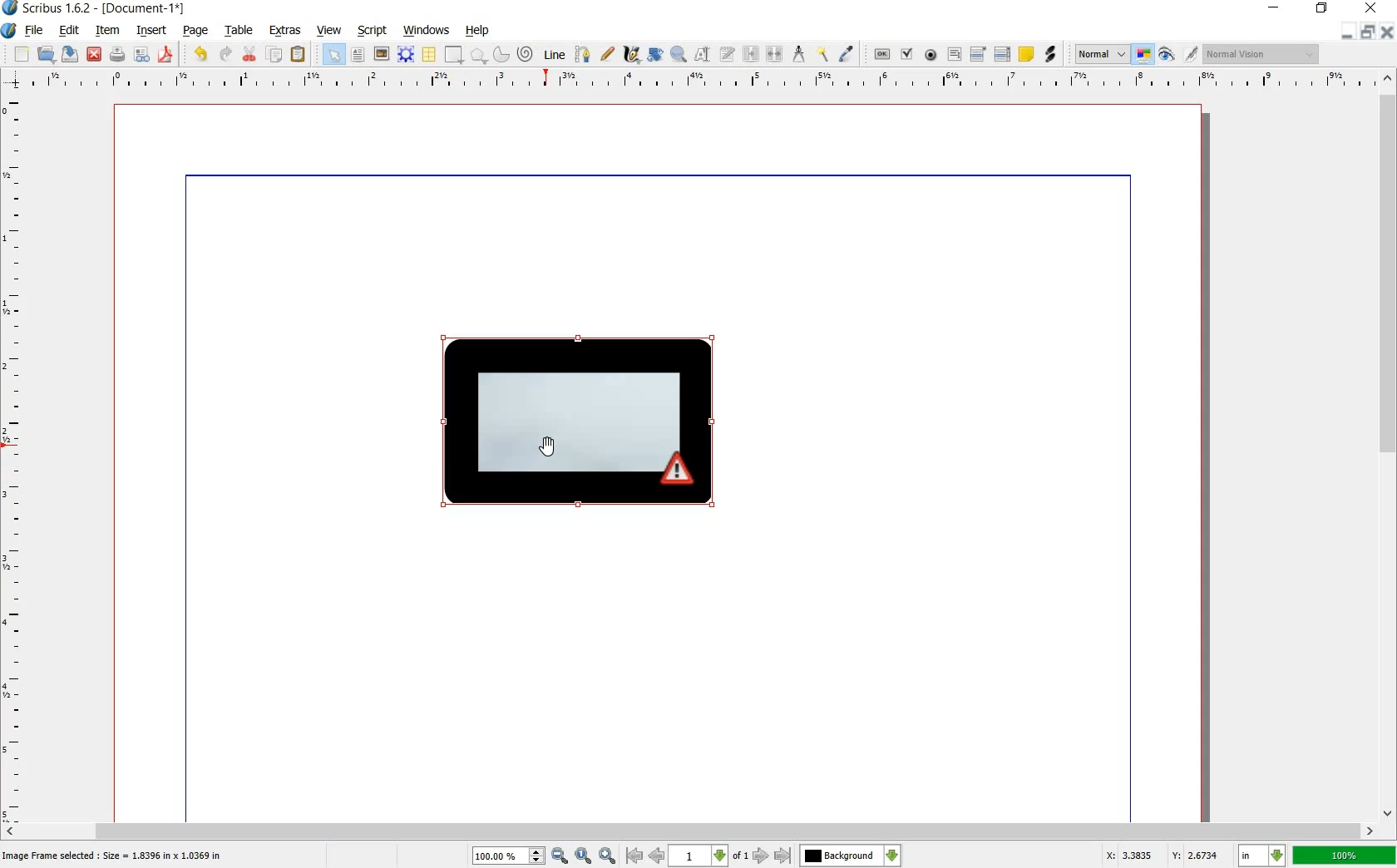  I want to click on pdf text field, so click(955, 55).